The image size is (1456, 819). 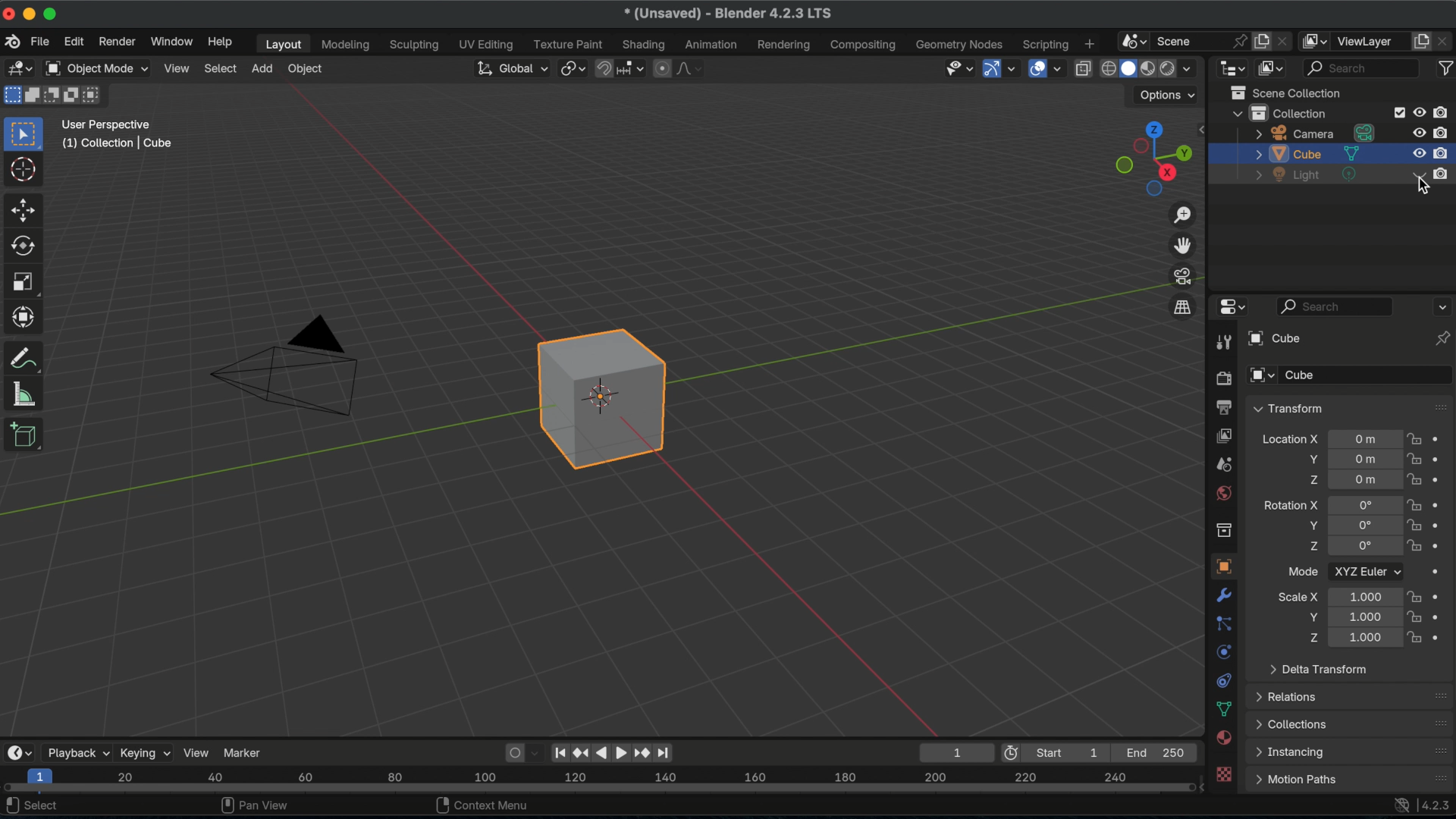 I want to click on location of object, so click(x=1367, y=439).